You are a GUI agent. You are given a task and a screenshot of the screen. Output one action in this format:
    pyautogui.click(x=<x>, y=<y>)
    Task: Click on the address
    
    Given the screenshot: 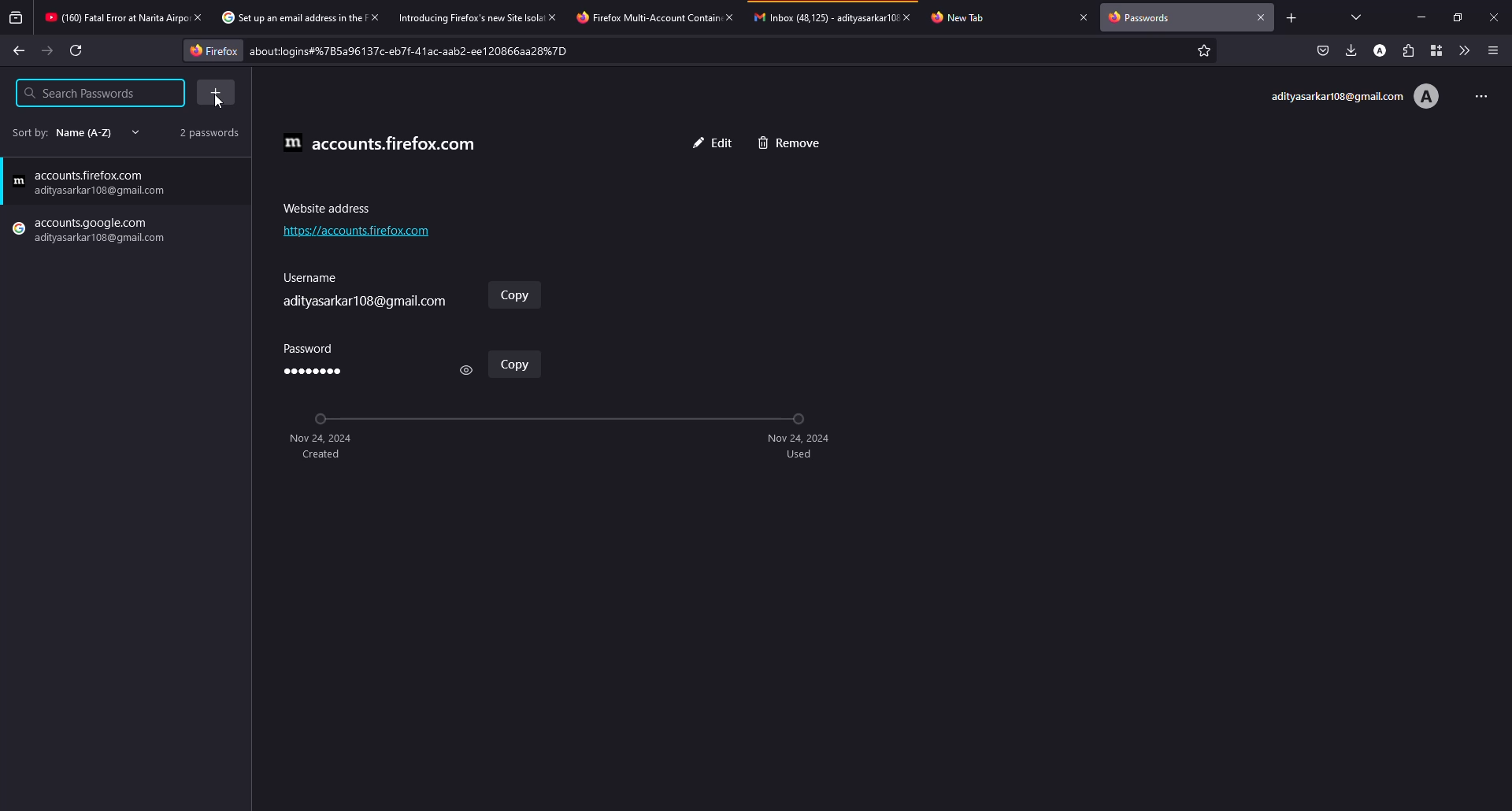 What is the action you would take?
    pyautogui.click(x=321, y=208)
    